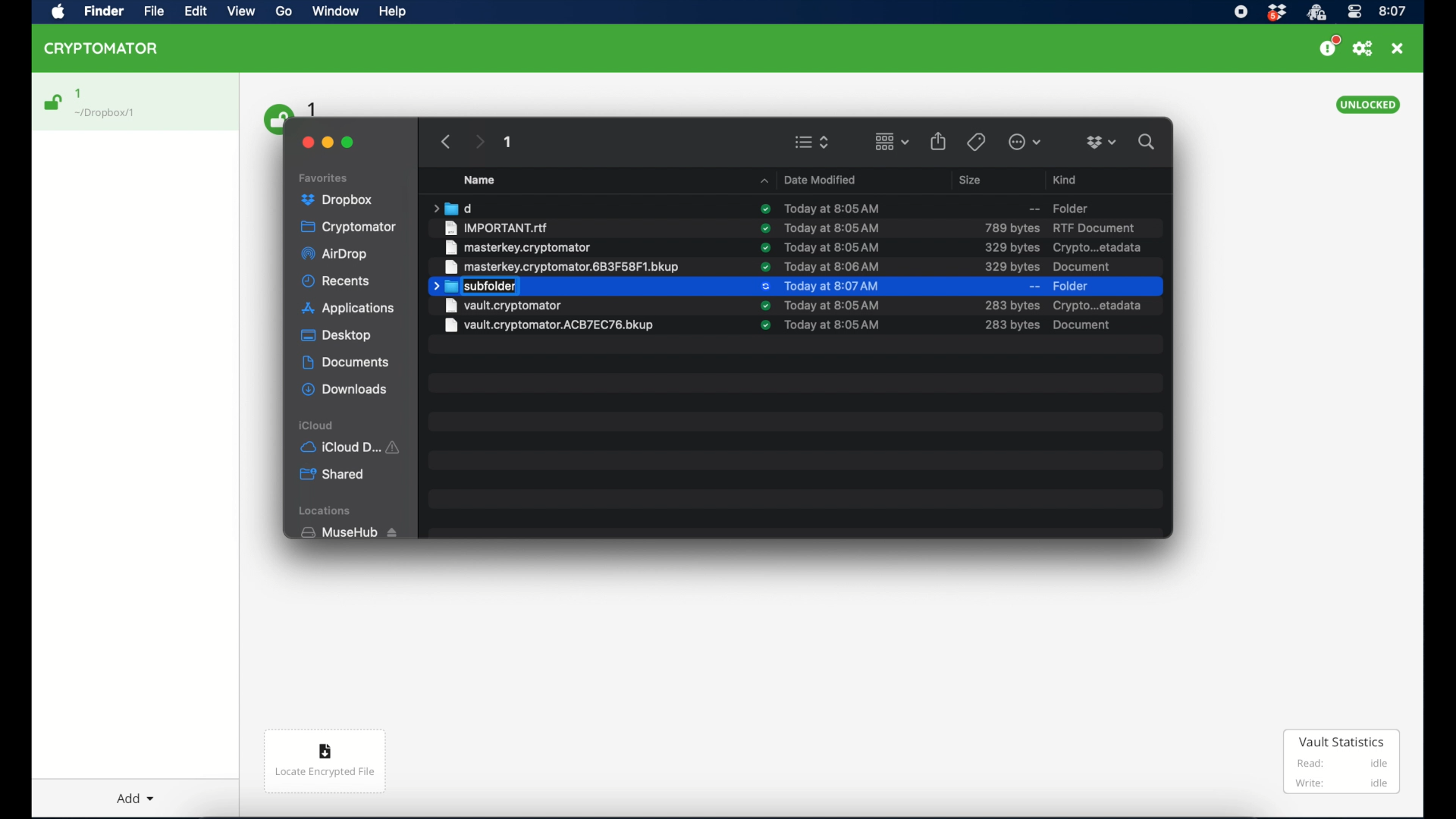  What do you see at coordinates (1097, 248) in the screenshot?
I see `crypto` at bounding box center [1097, 248].